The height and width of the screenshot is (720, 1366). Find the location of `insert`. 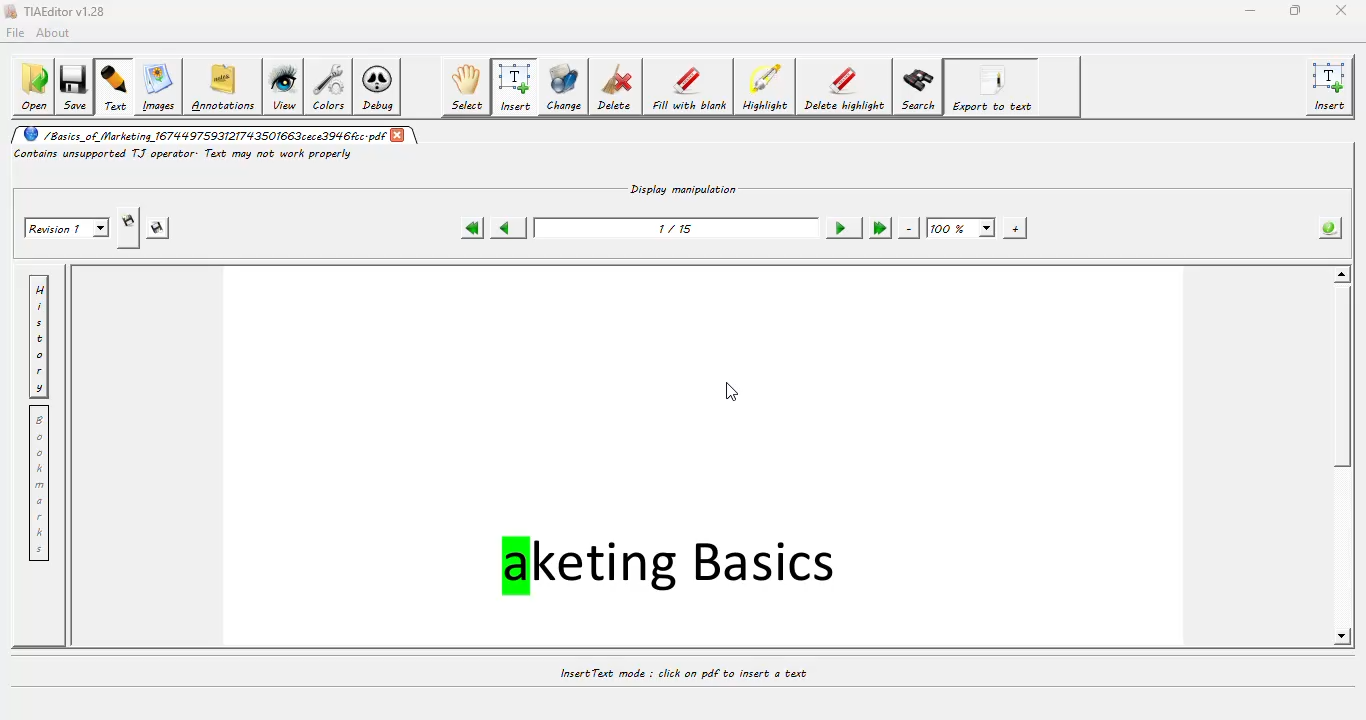

insert is located at coordinates (1332, 87).